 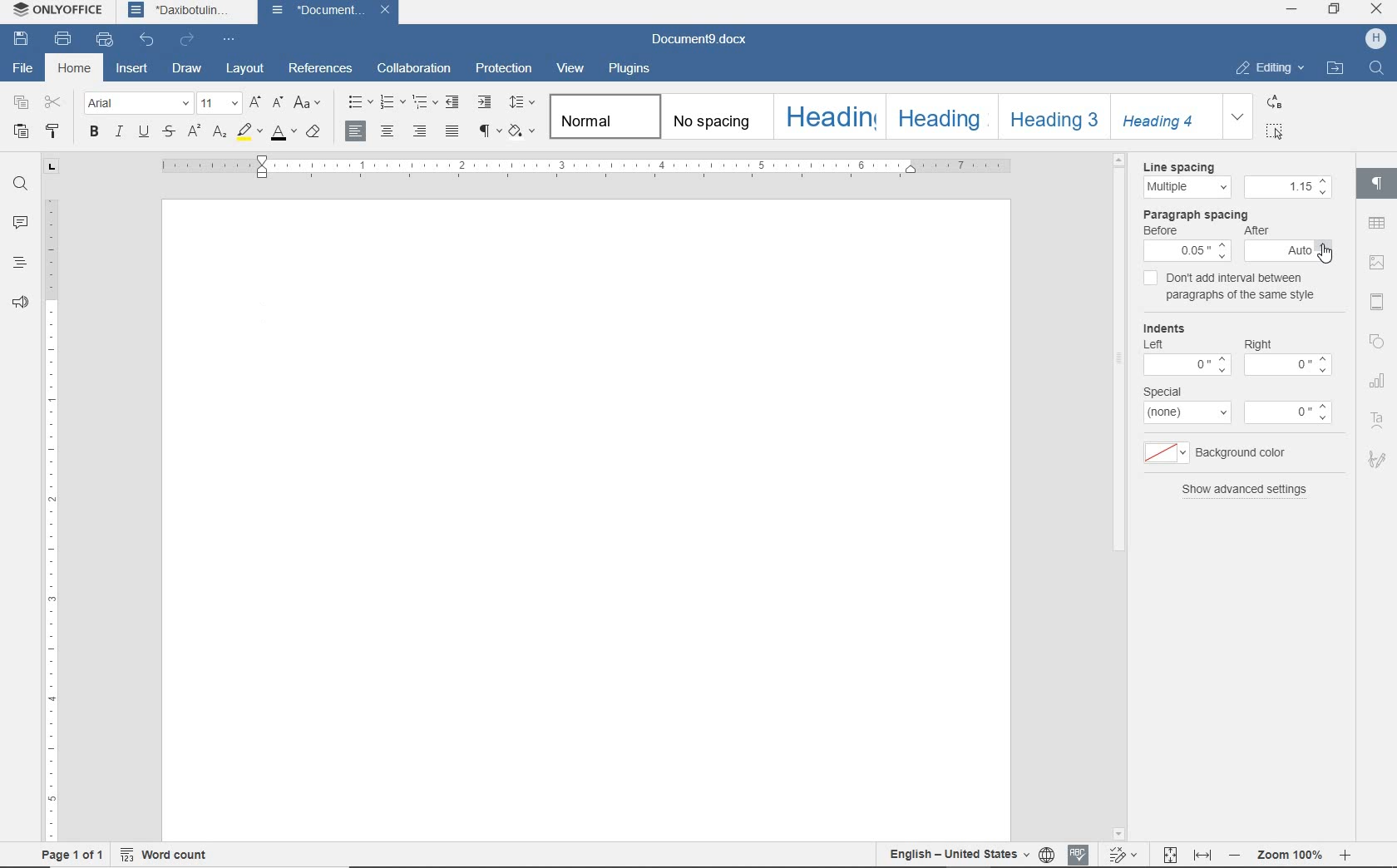 I want to click on increase indent, so click(x=486, y=102).